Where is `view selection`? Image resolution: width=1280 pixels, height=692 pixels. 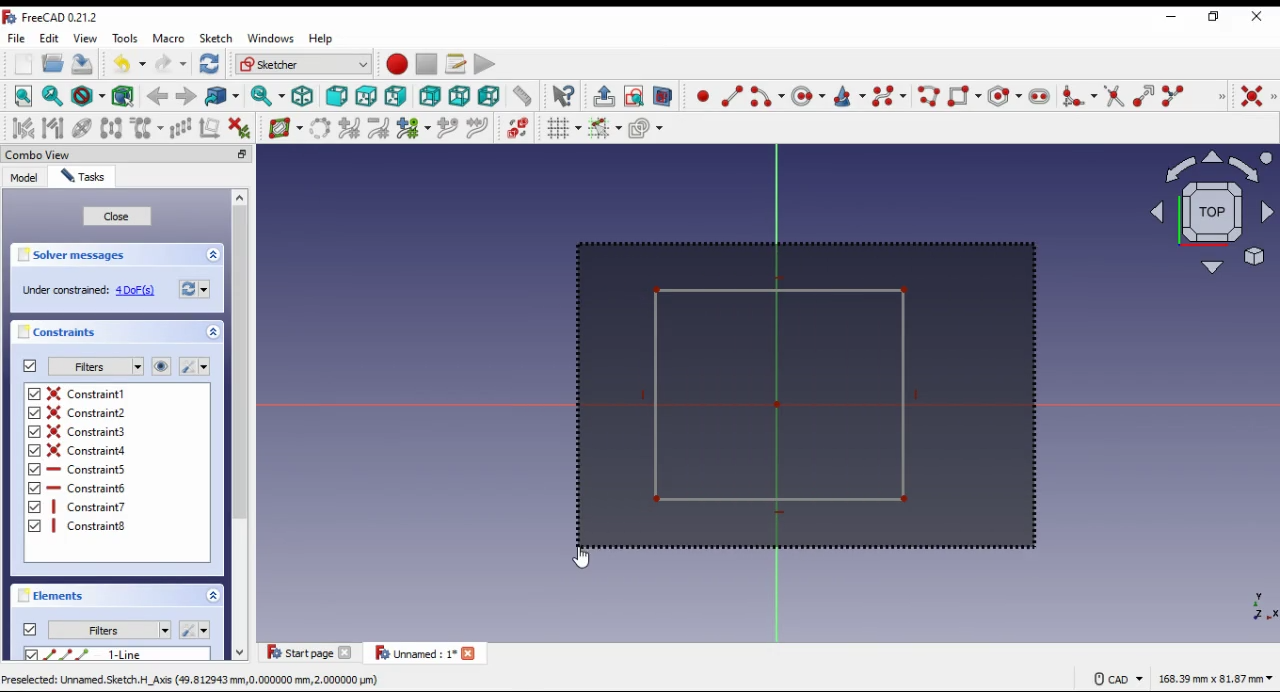
view selection is located at coordinates (662, 96).